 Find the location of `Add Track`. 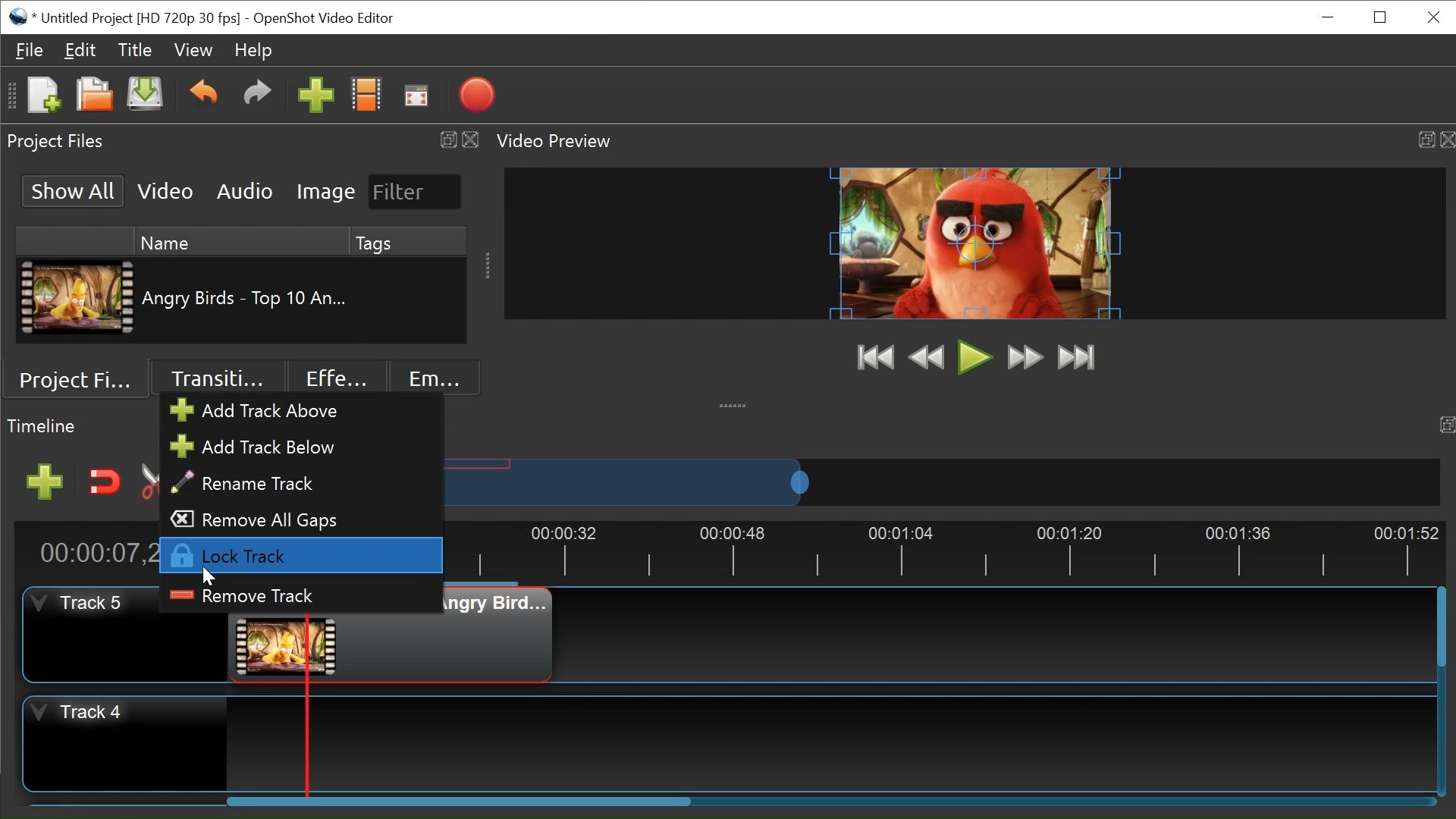

Add Track is located at coordinates (43, 482).